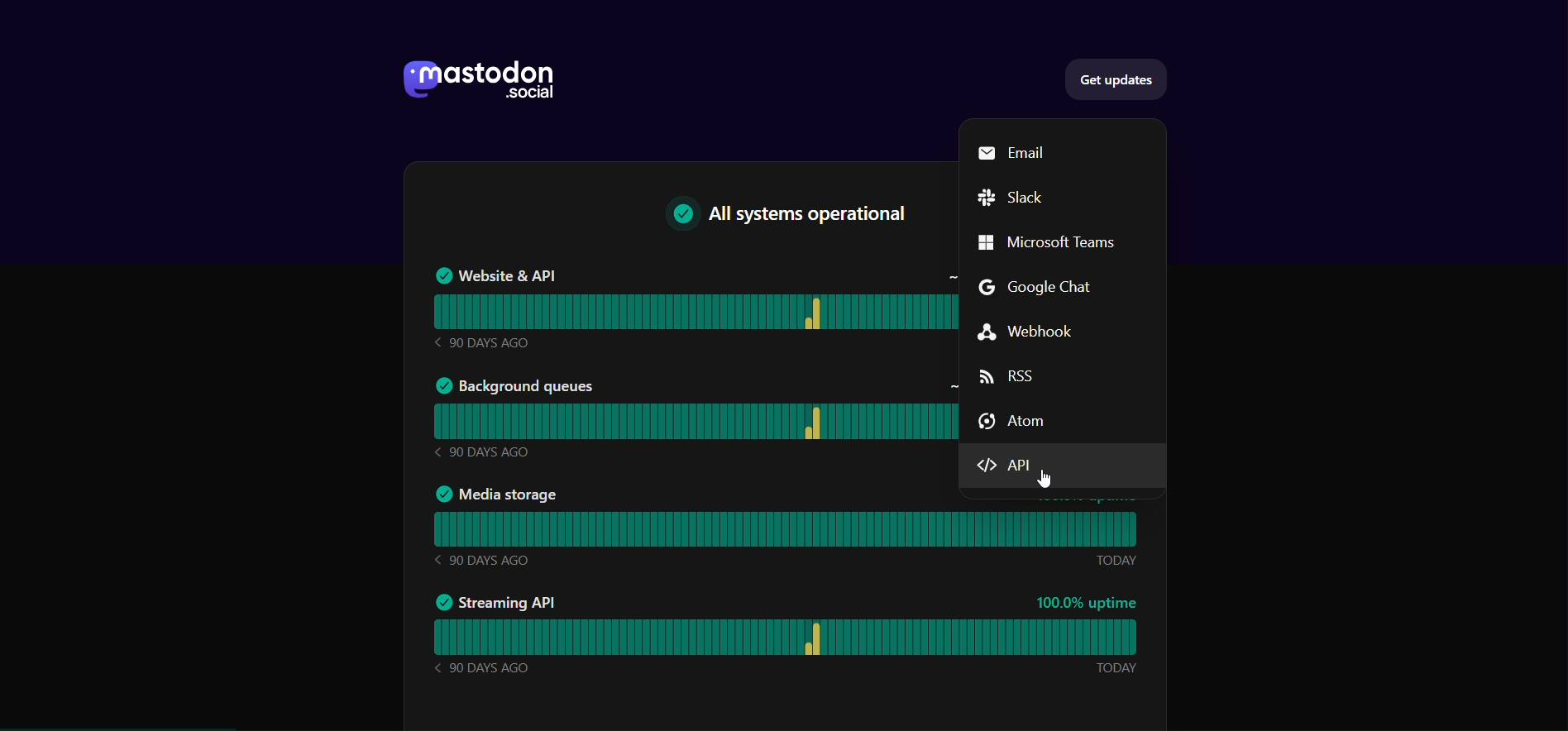  Describe the element at coordinates (786, 528) in the screenshot. I see `media storage status` at that location.